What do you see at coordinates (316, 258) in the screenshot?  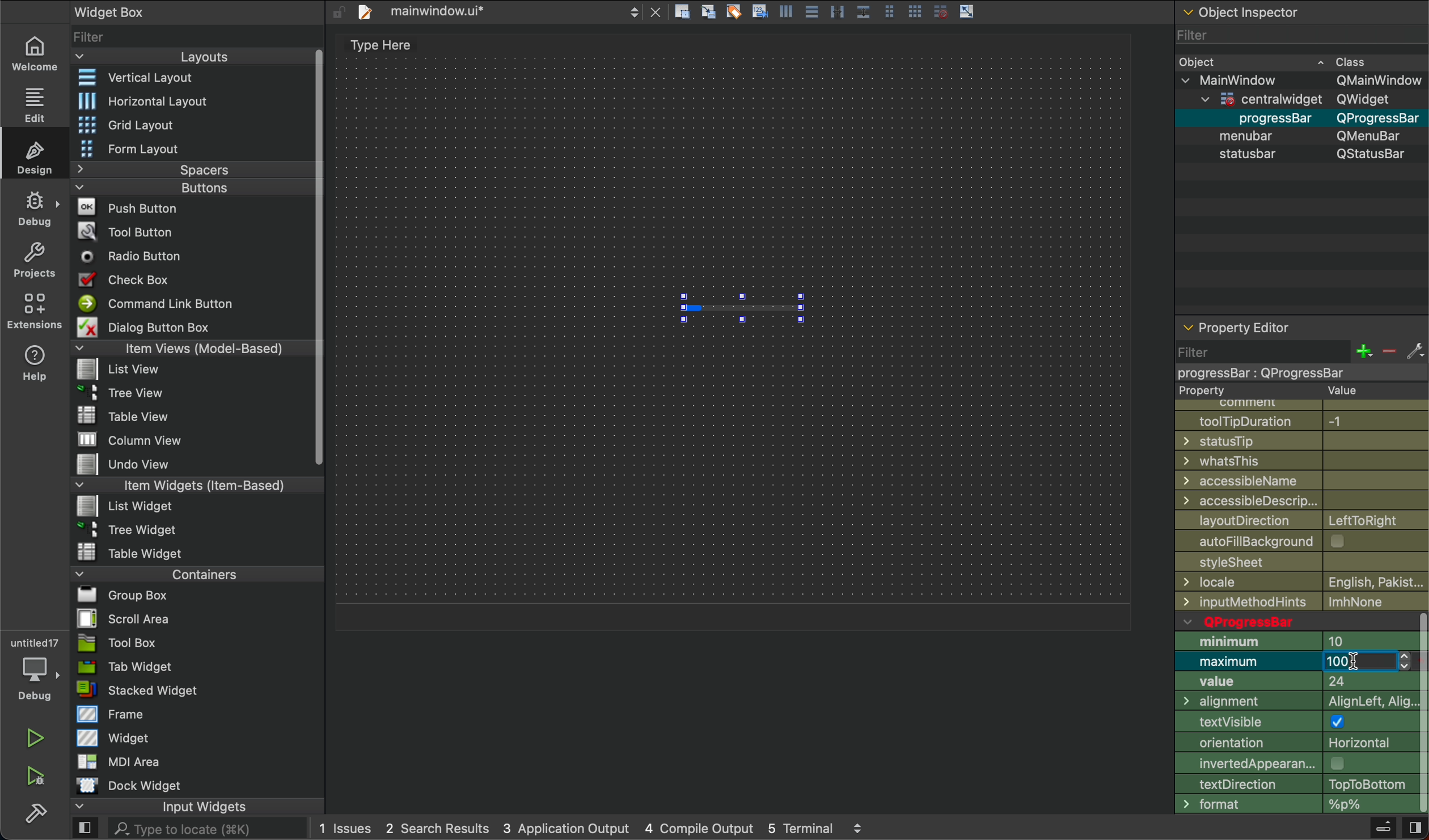 I see `Vertical Scroll` at bounding box center [316, 258].